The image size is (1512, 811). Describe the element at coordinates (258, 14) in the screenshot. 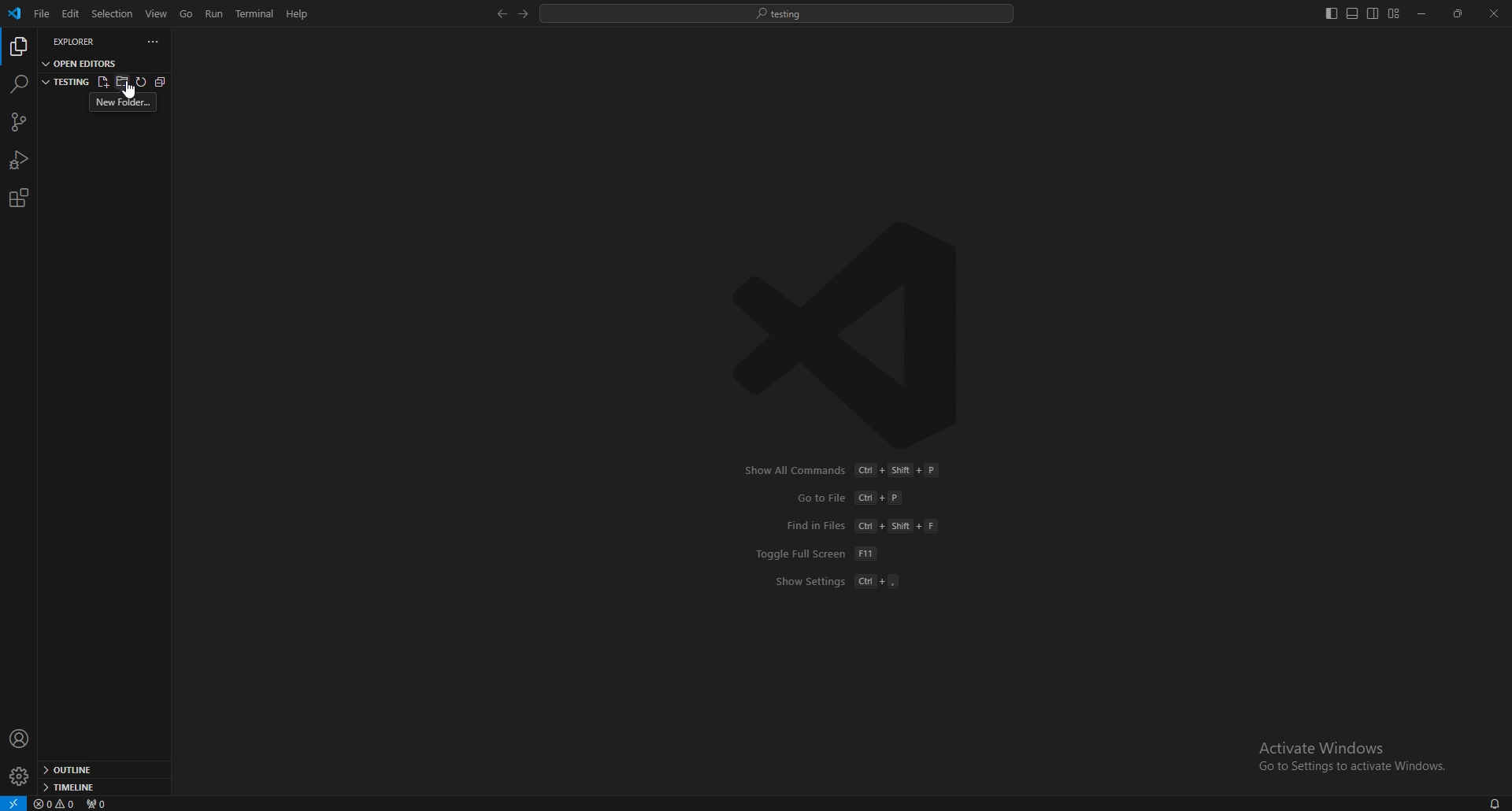

I see `terminal` at that location.